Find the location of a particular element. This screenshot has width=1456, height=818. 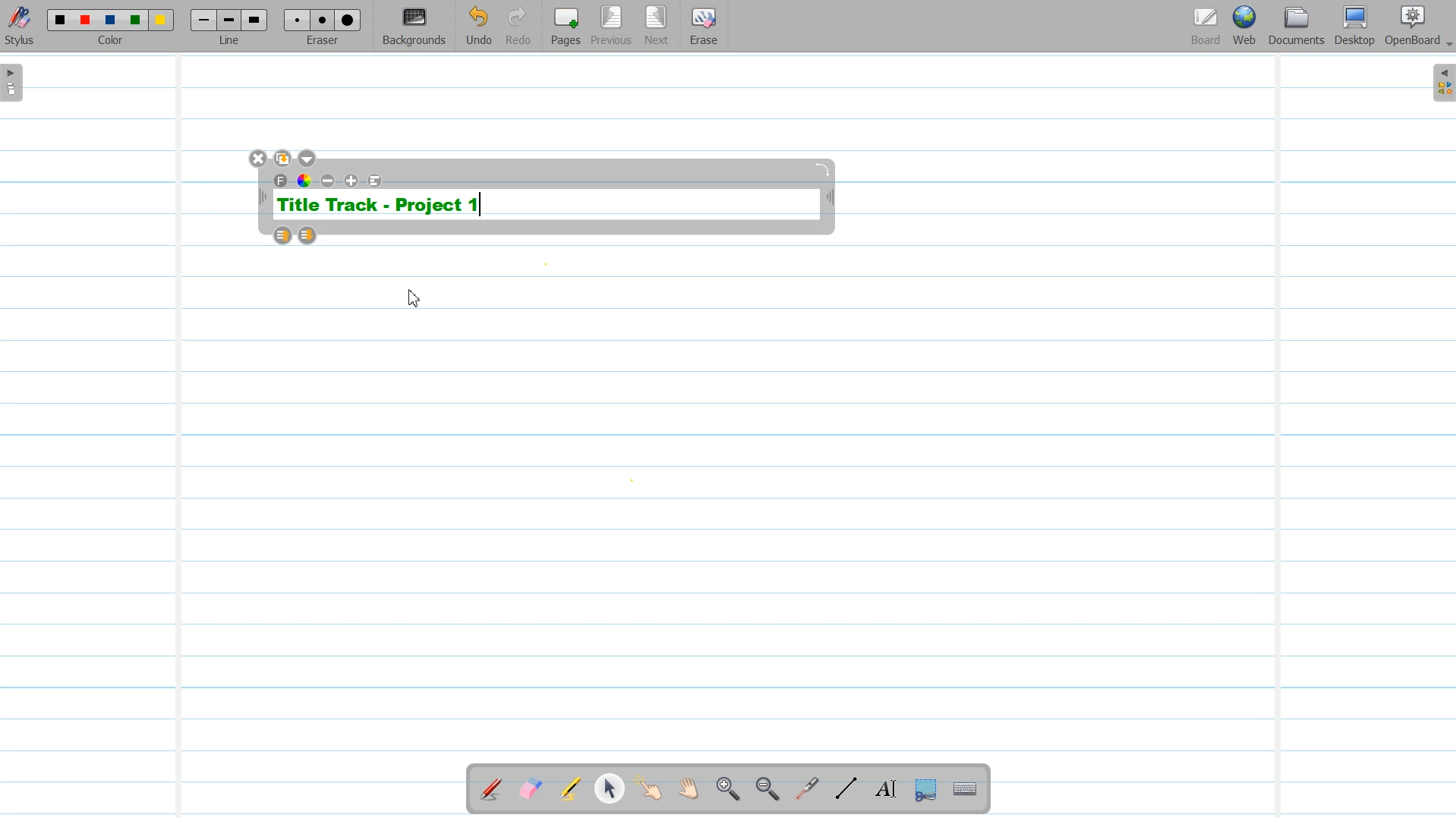

Scroll Page is located at coordinates (689, 790).